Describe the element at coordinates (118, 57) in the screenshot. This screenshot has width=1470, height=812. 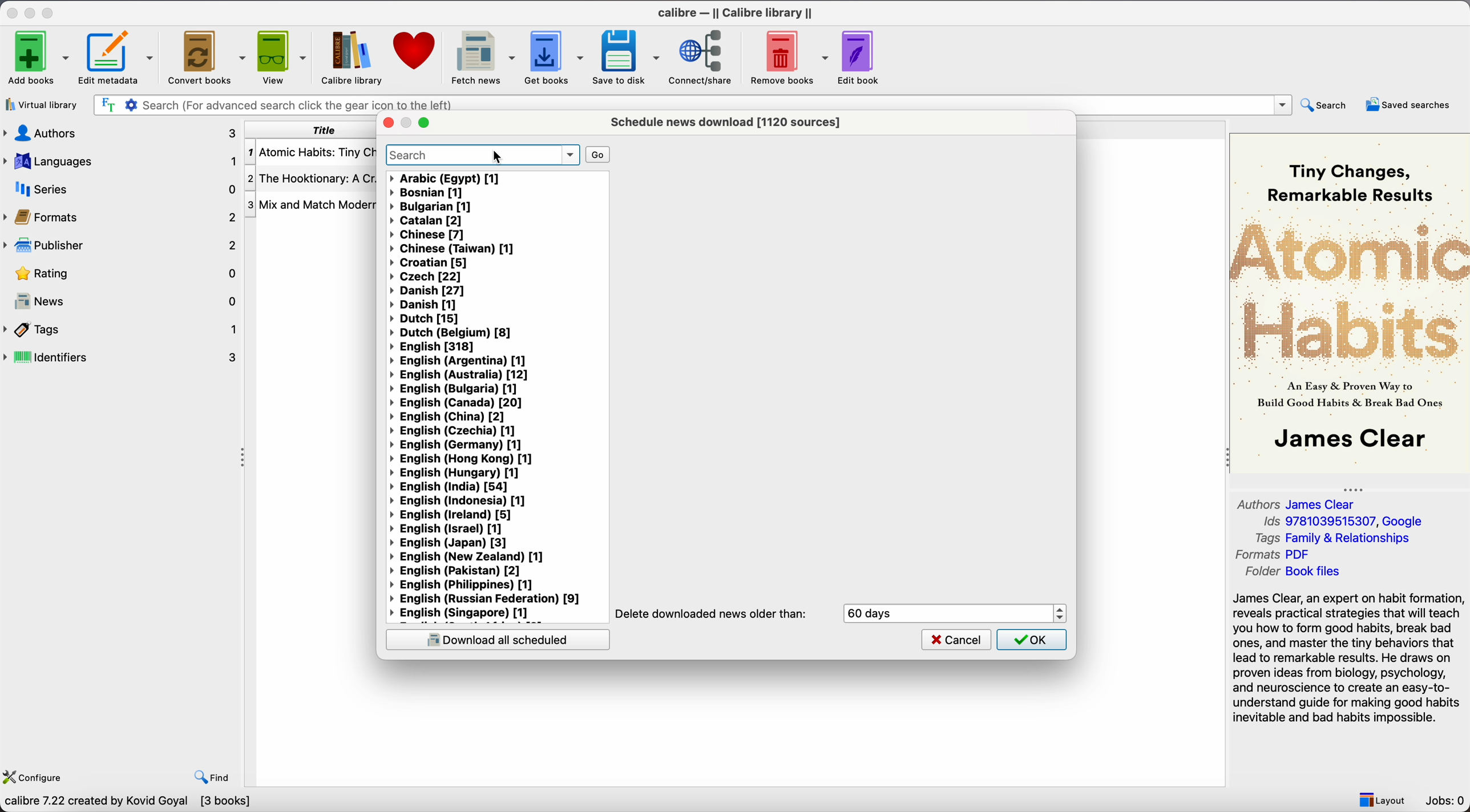
I see `Edit metadata` at that location.